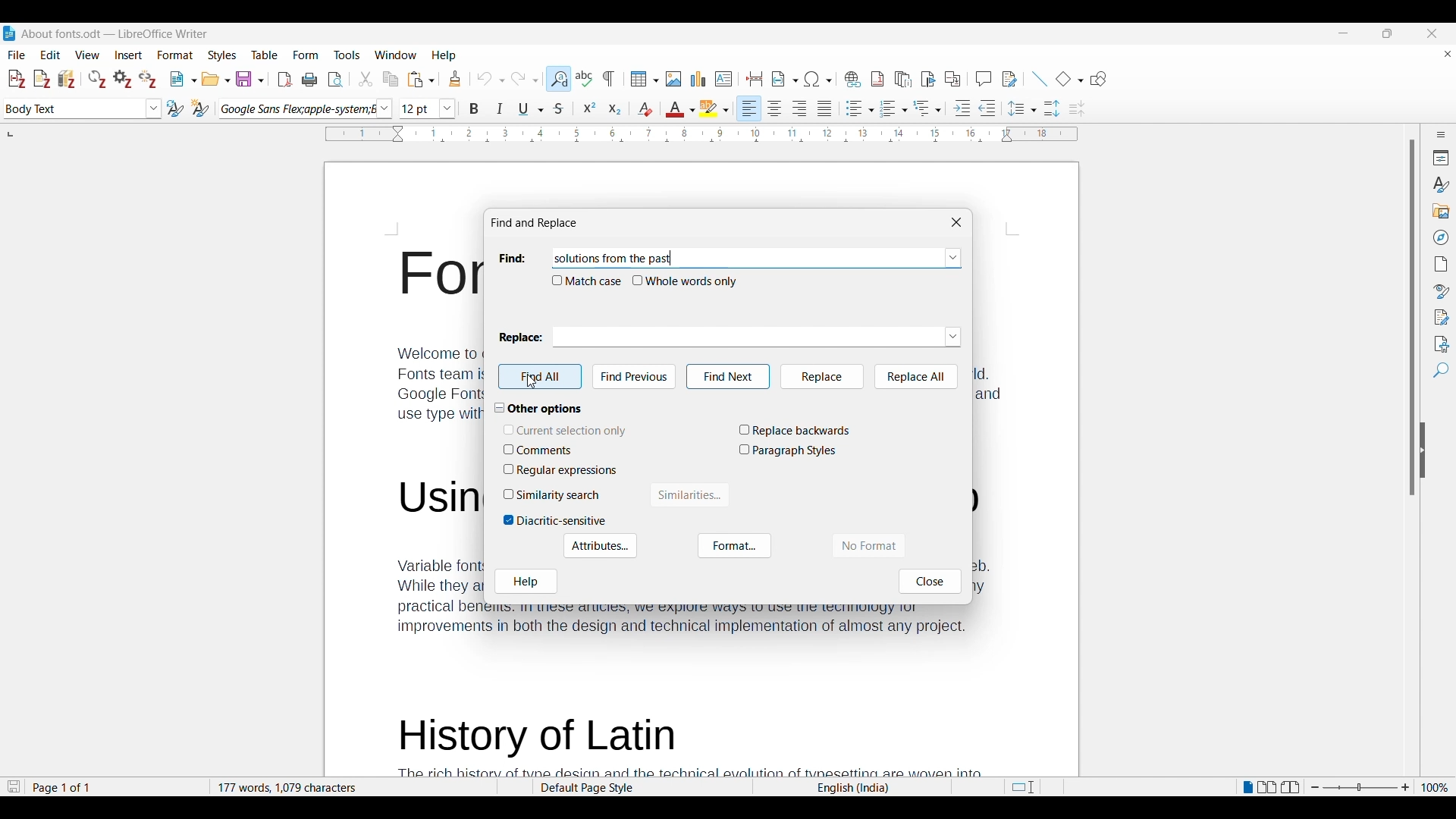 The width and height of the screenshot is (1456, 819). What do you see at coordinates (1267, 787) in the screenshot?
I see `Multi page view` at bounding box center [1267, 787].